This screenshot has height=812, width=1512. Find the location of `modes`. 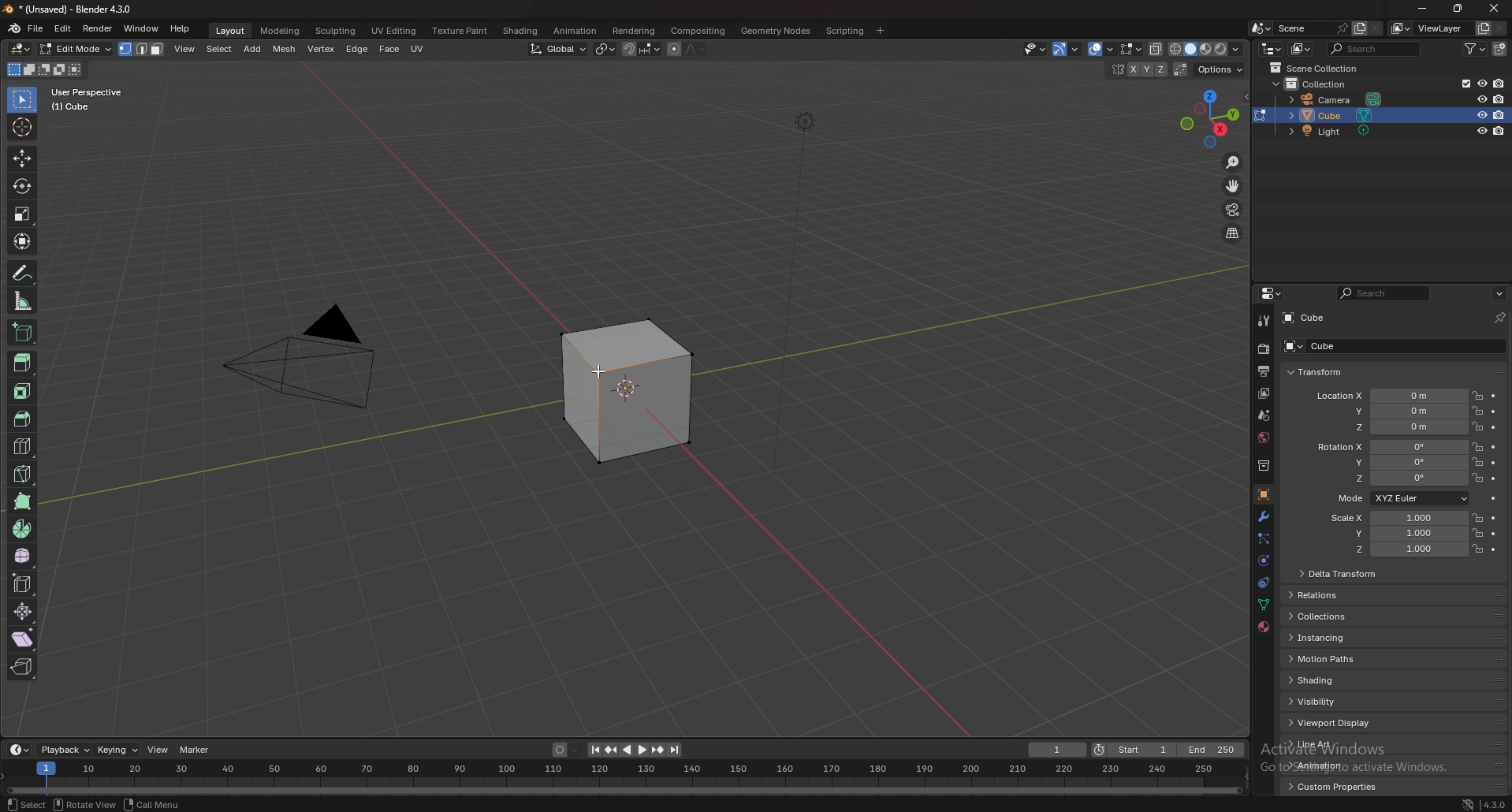

modes is located at coordinates (45, 69).